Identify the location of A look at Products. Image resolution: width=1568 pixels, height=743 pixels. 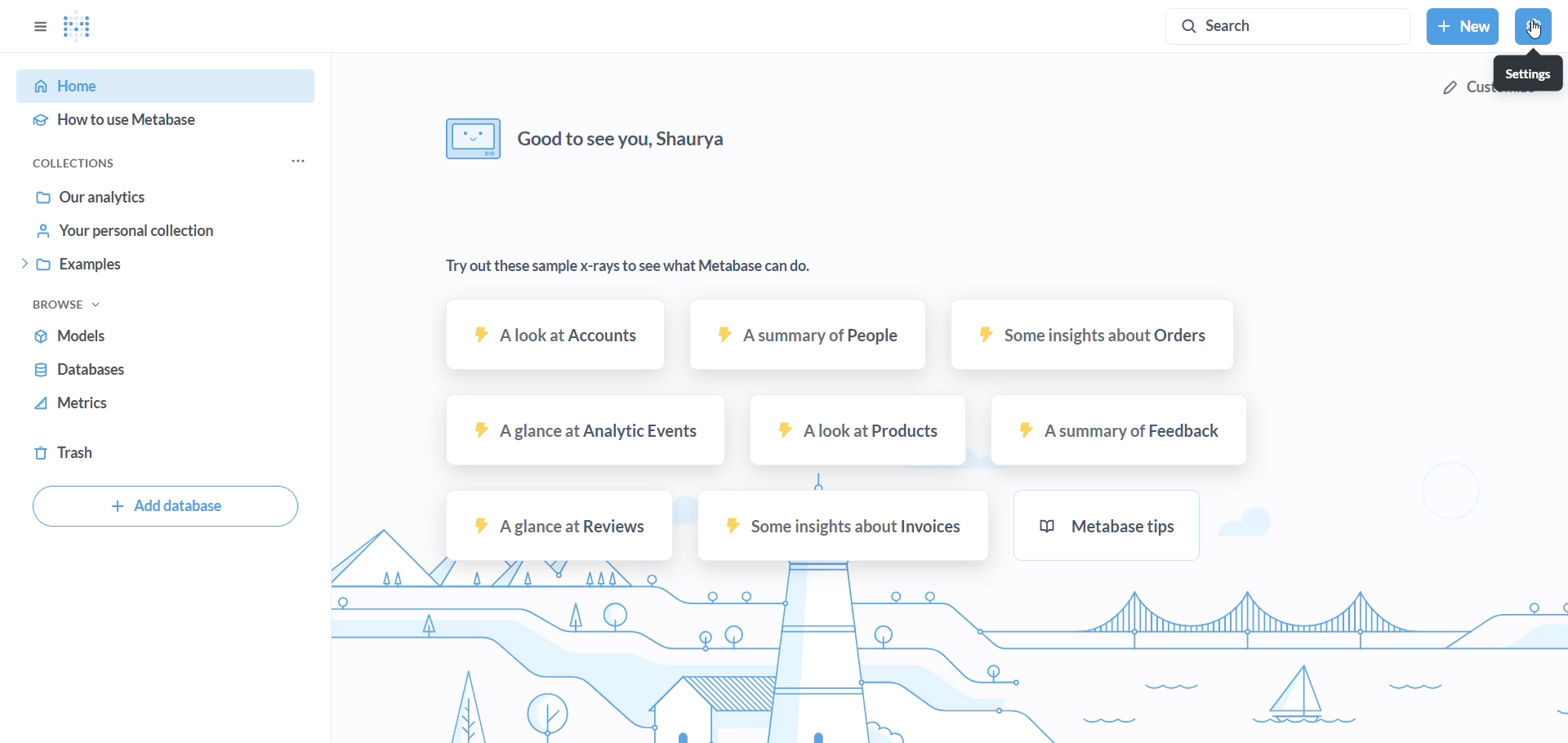
(858, 430).